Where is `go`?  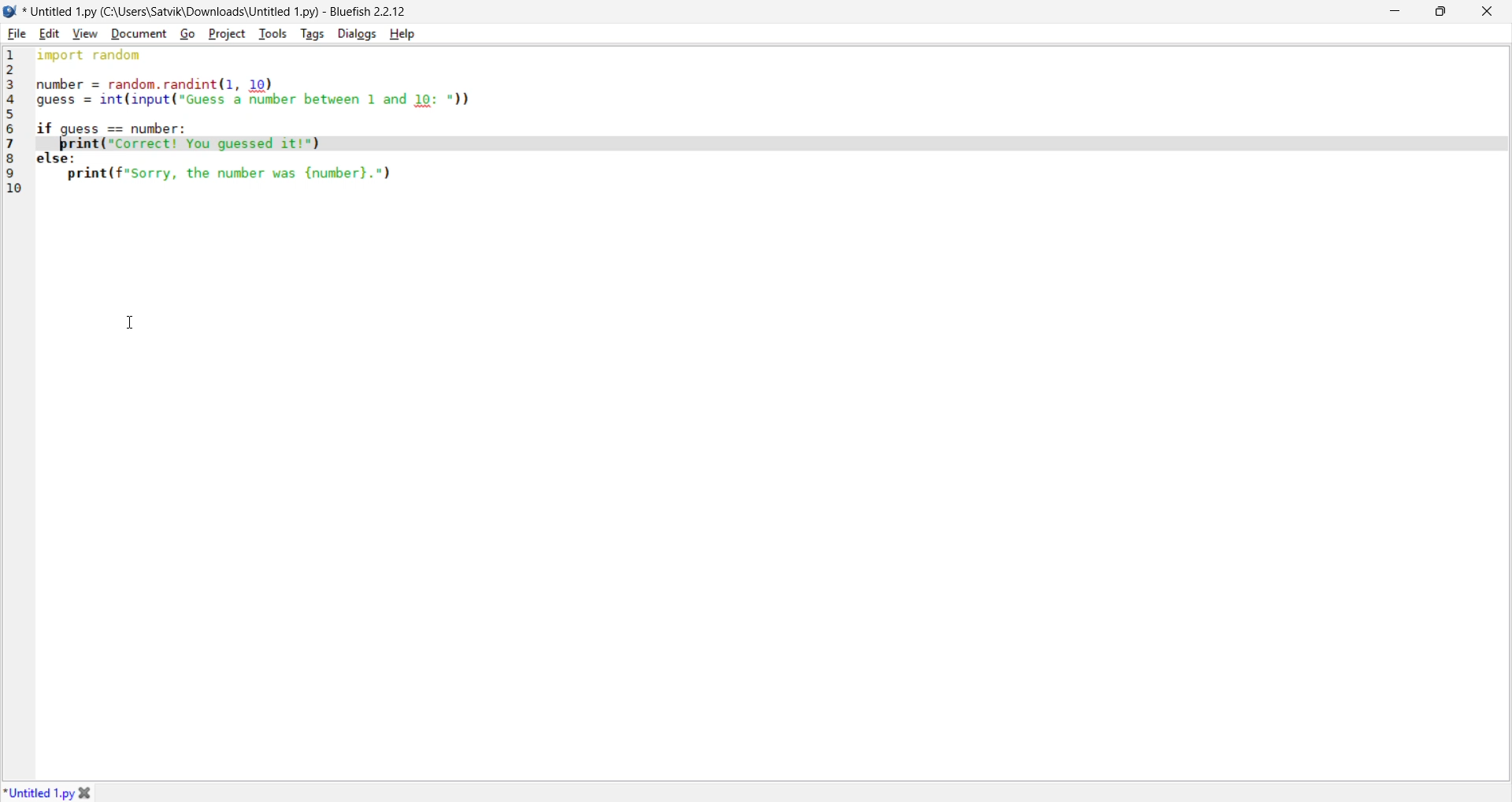 go is located at coordinates (185, 34).